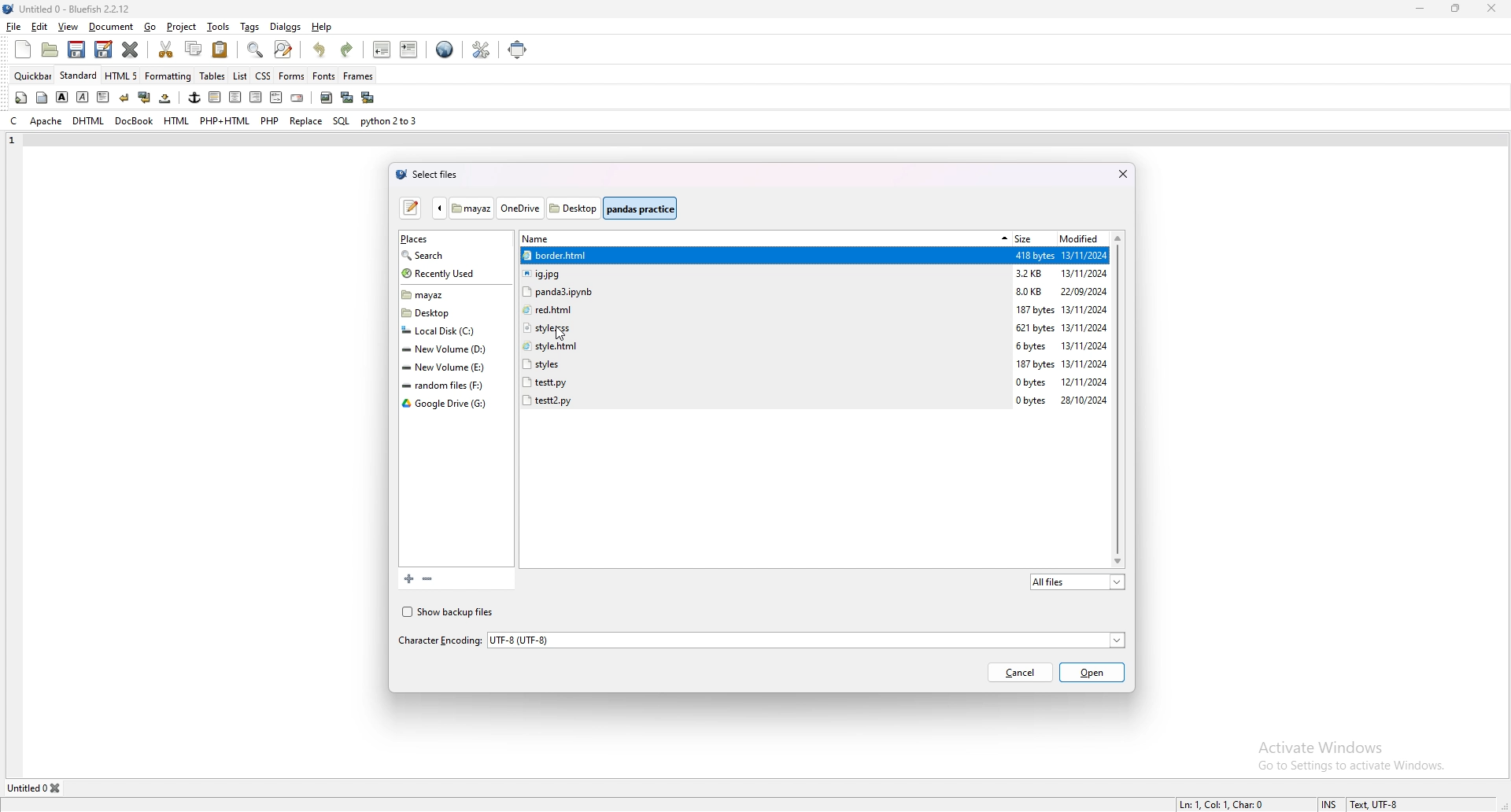 The image size is (1511, 812). Describe the element at coordinates (212, 76) in the screenshot. I see `tables` at that location.